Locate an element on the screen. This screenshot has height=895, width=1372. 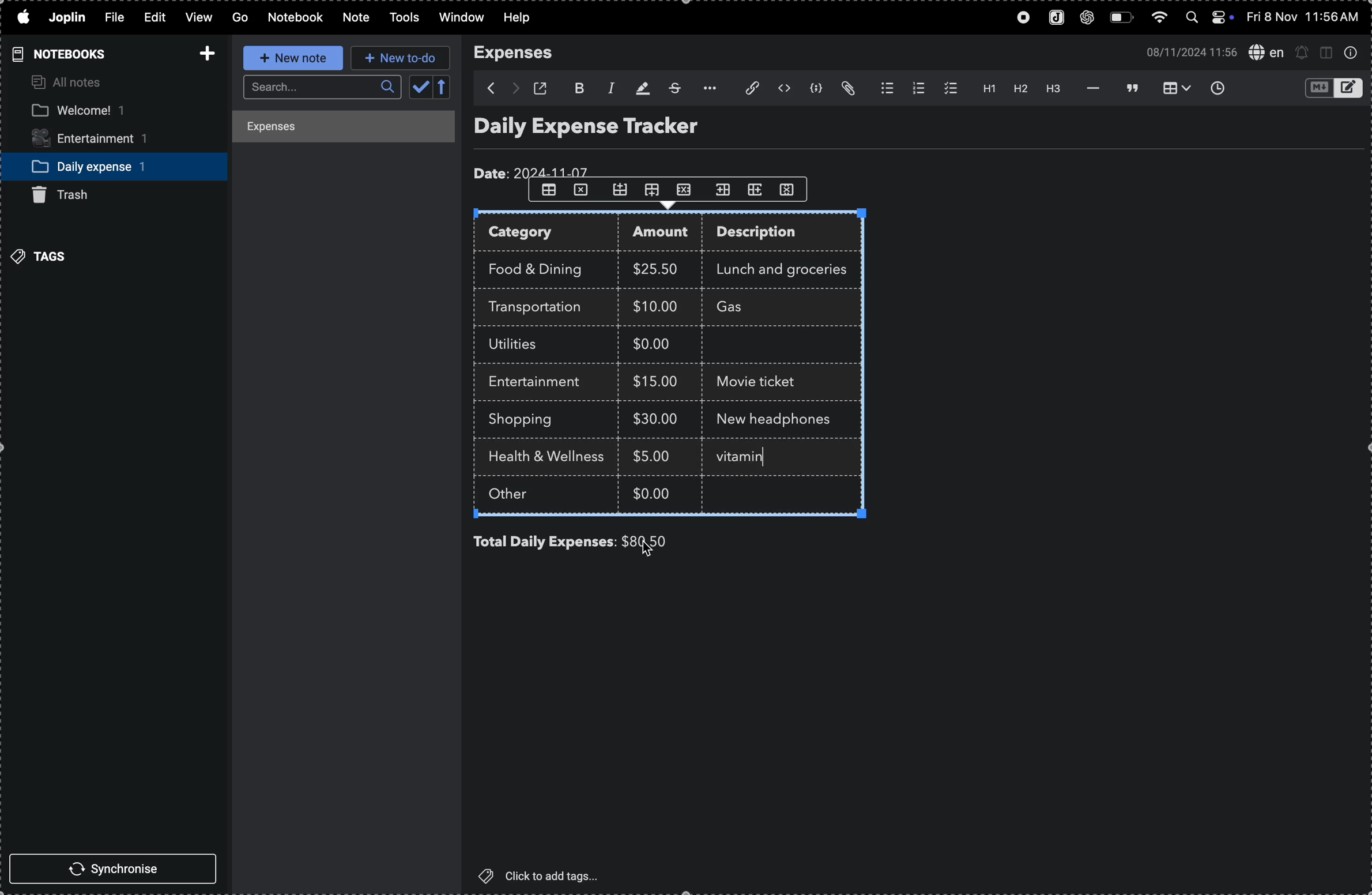
info is located at coordinates (1351, 53).